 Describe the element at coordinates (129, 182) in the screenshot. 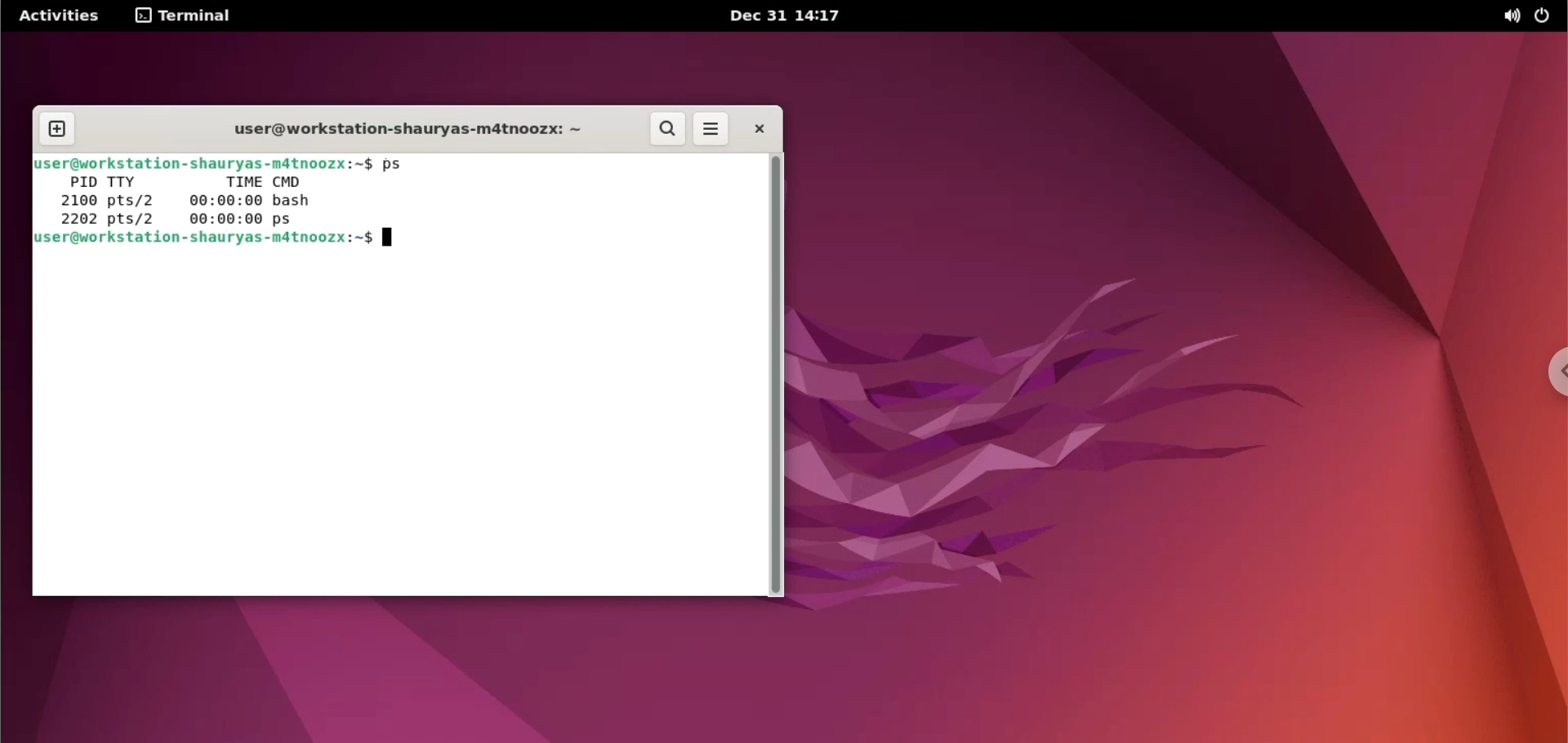

I see `TTY ` at that location.